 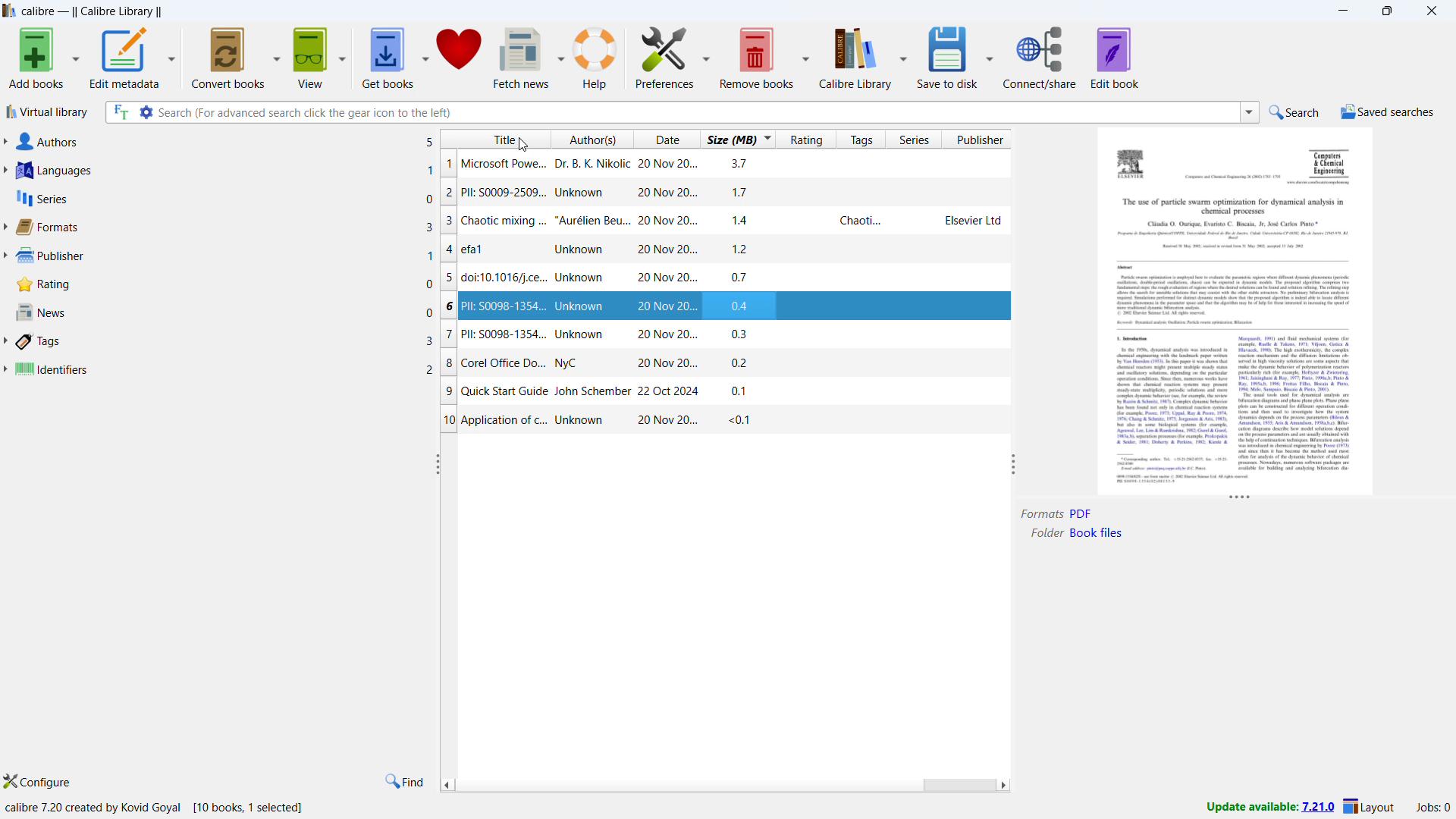 I want to click on resize, so click(x=437, y=465).